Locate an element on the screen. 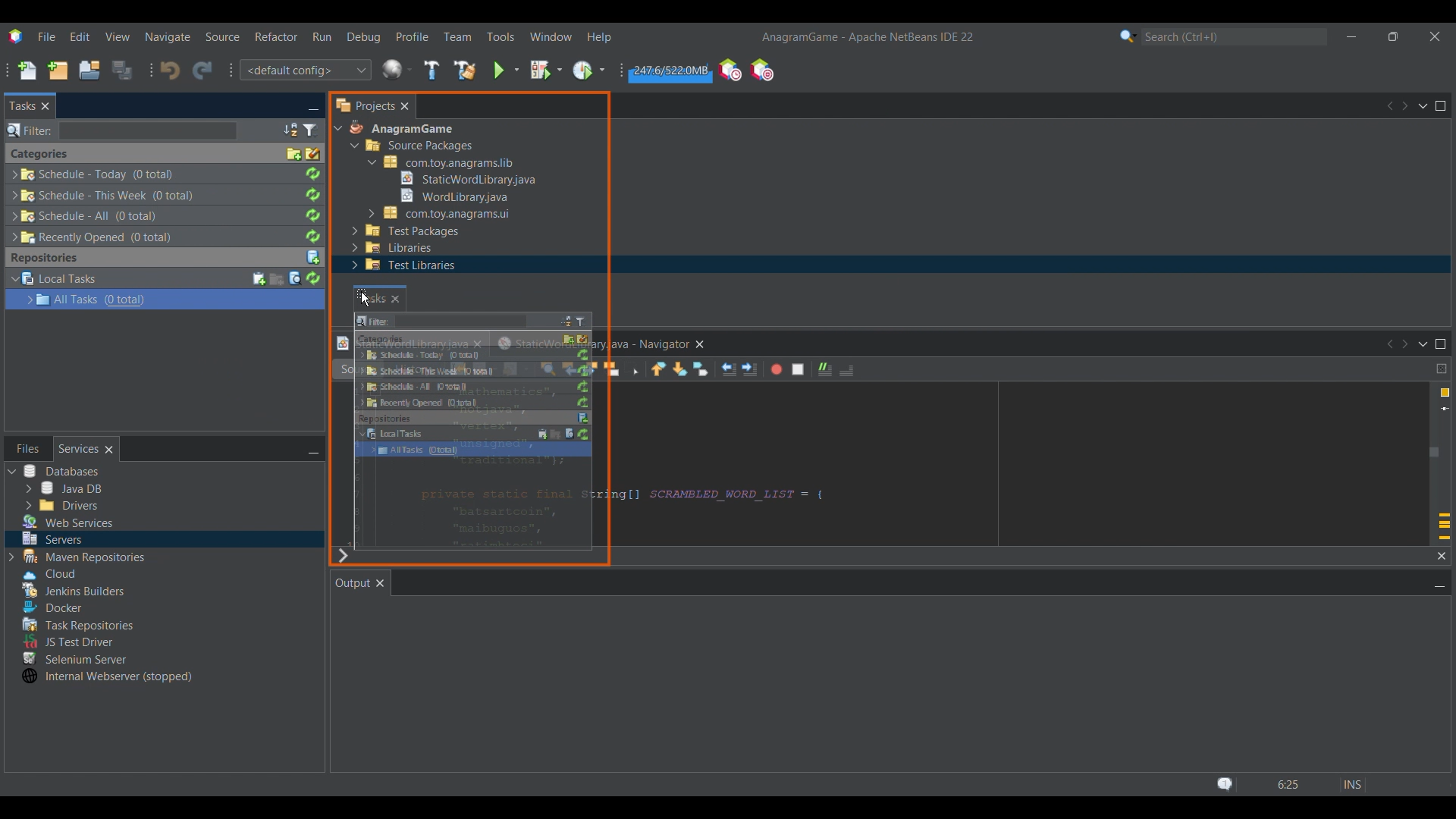  Open project is located at coordinates (89, 71).